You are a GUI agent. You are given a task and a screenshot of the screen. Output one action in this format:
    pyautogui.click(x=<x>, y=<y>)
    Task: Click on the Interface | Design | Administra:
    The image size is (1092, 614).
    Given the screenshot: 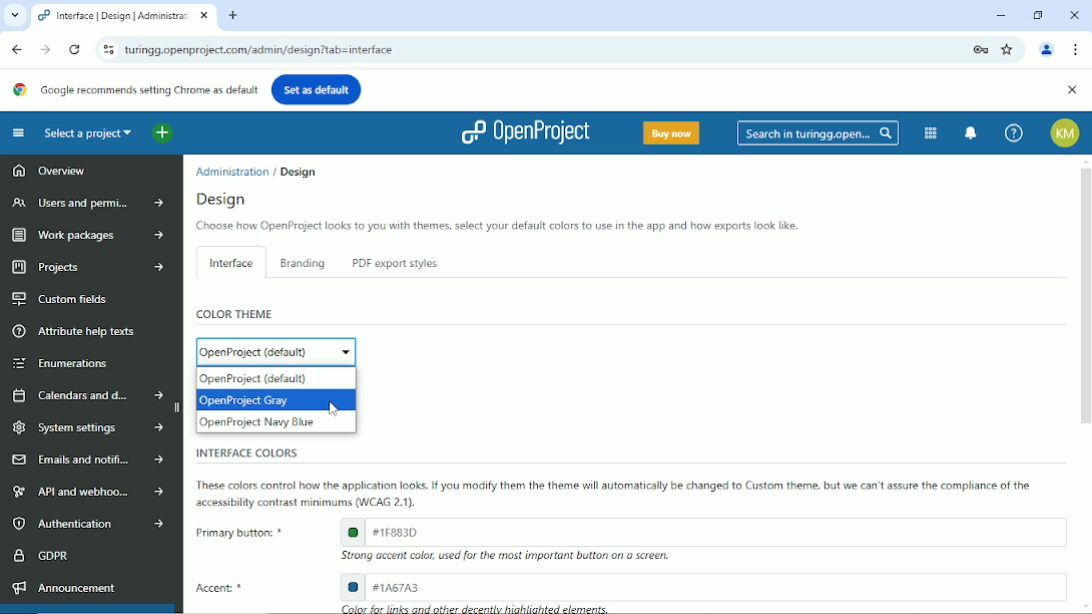 What is the action you would take?
    pyautogui.click(x=111, y=16)
    